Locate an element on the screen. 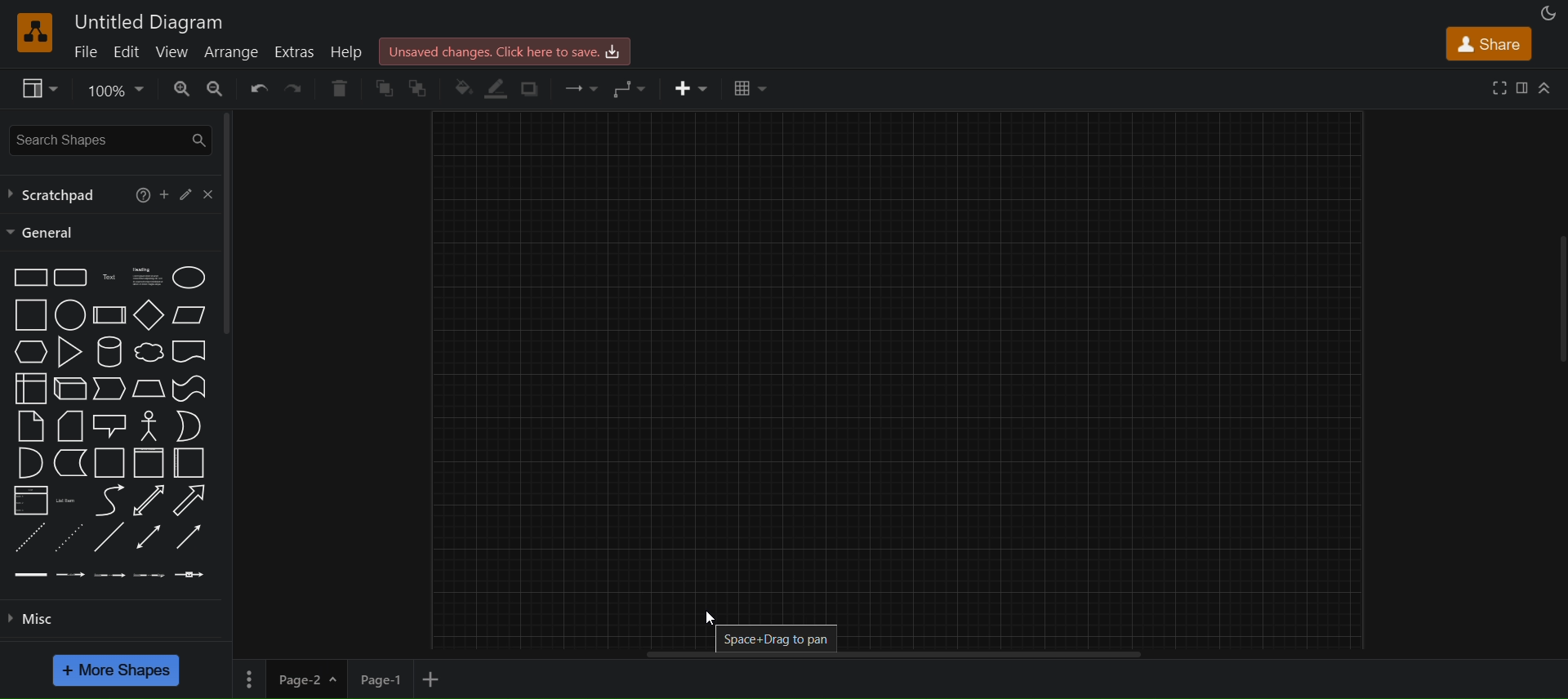 Image resolution: width=1568 pixels, height=699 pixels. ellipse is located at coordinates (189, 277).